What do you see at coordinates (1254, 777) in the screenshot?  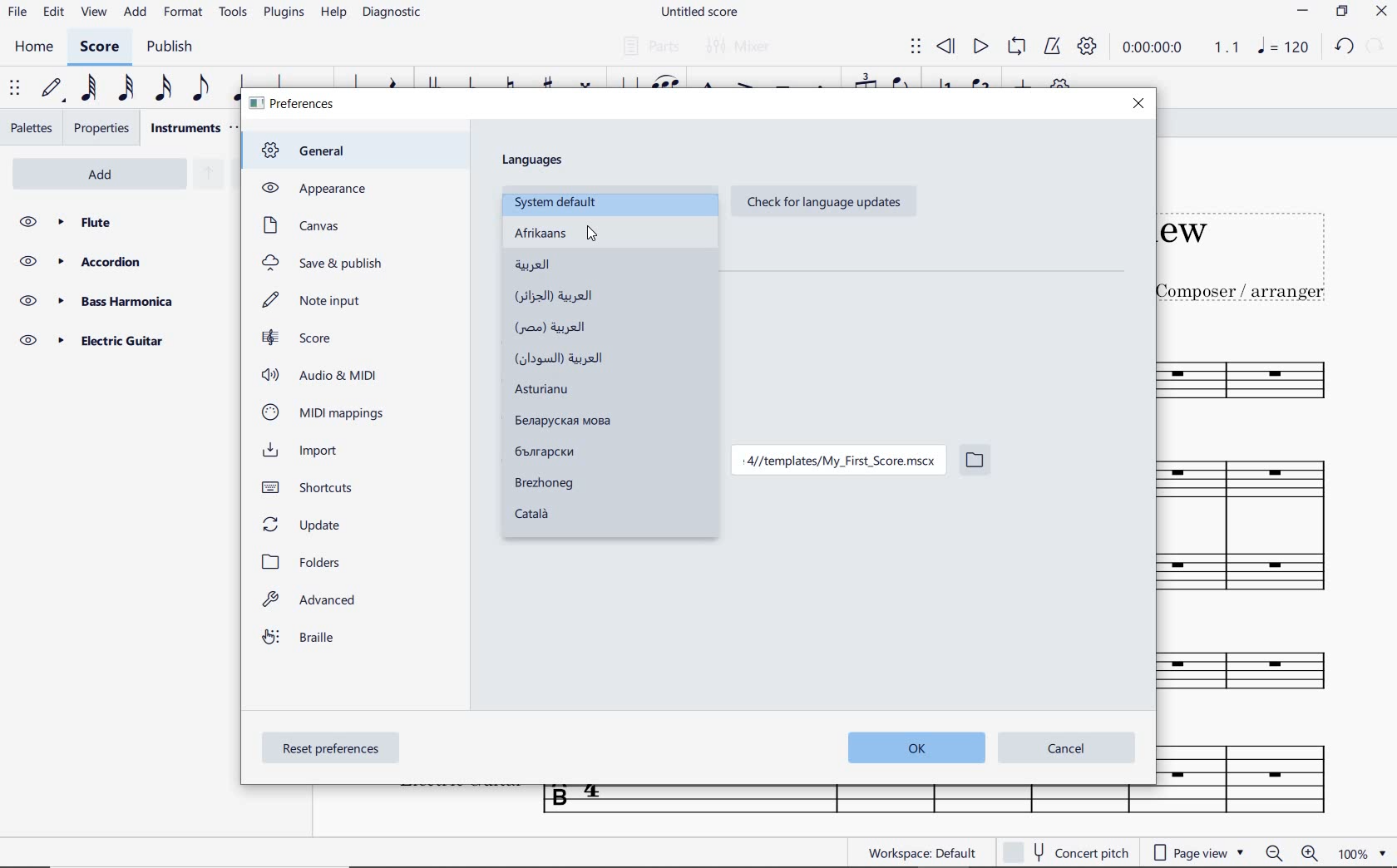 I see `Instrument: Electric guitar` at bounding box center [1254, 777].